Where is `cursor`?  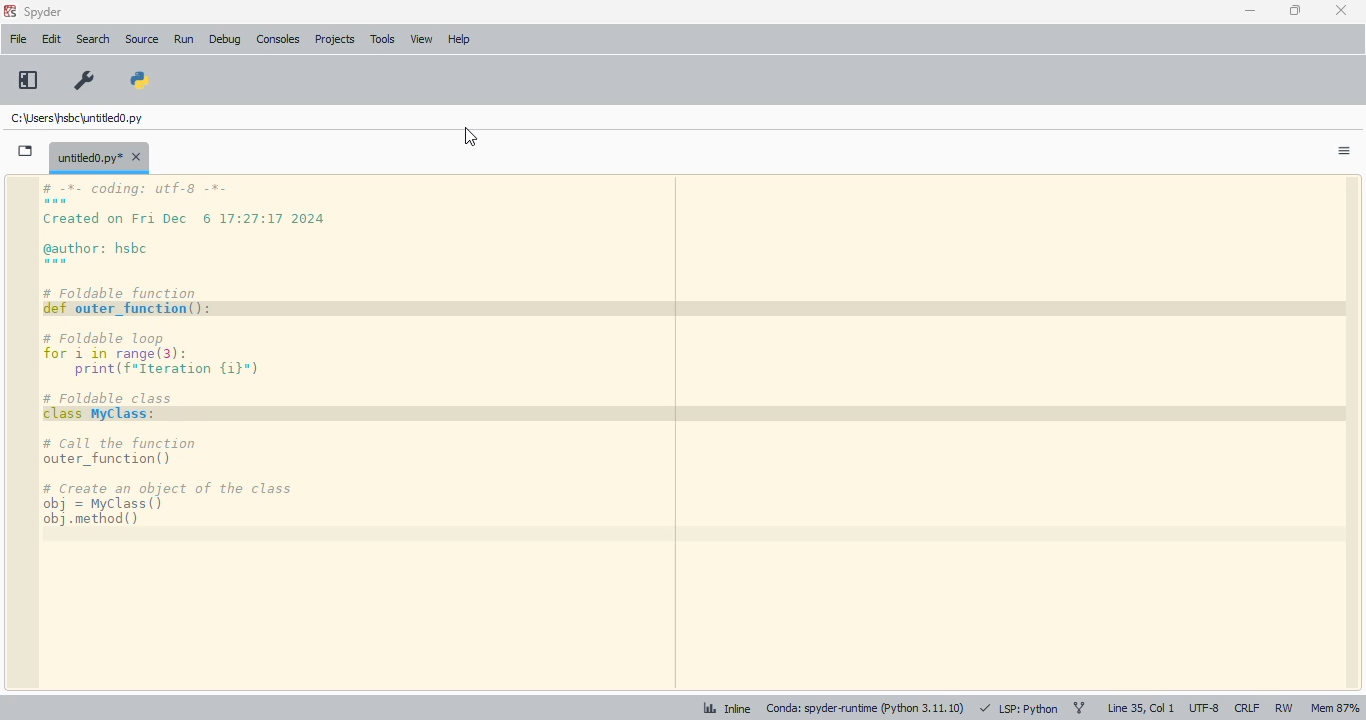
cursor is located at coordinates (470, 136).